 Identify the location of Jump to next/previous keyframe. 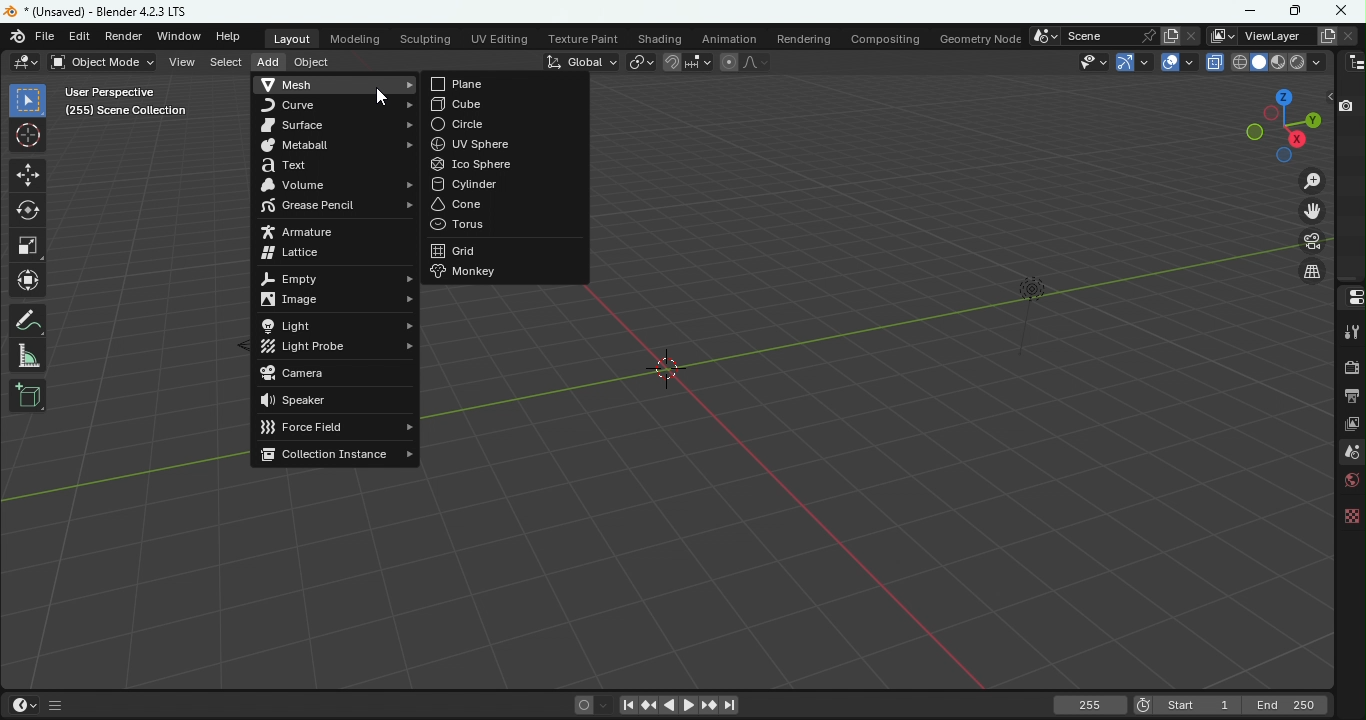
(649, 705).